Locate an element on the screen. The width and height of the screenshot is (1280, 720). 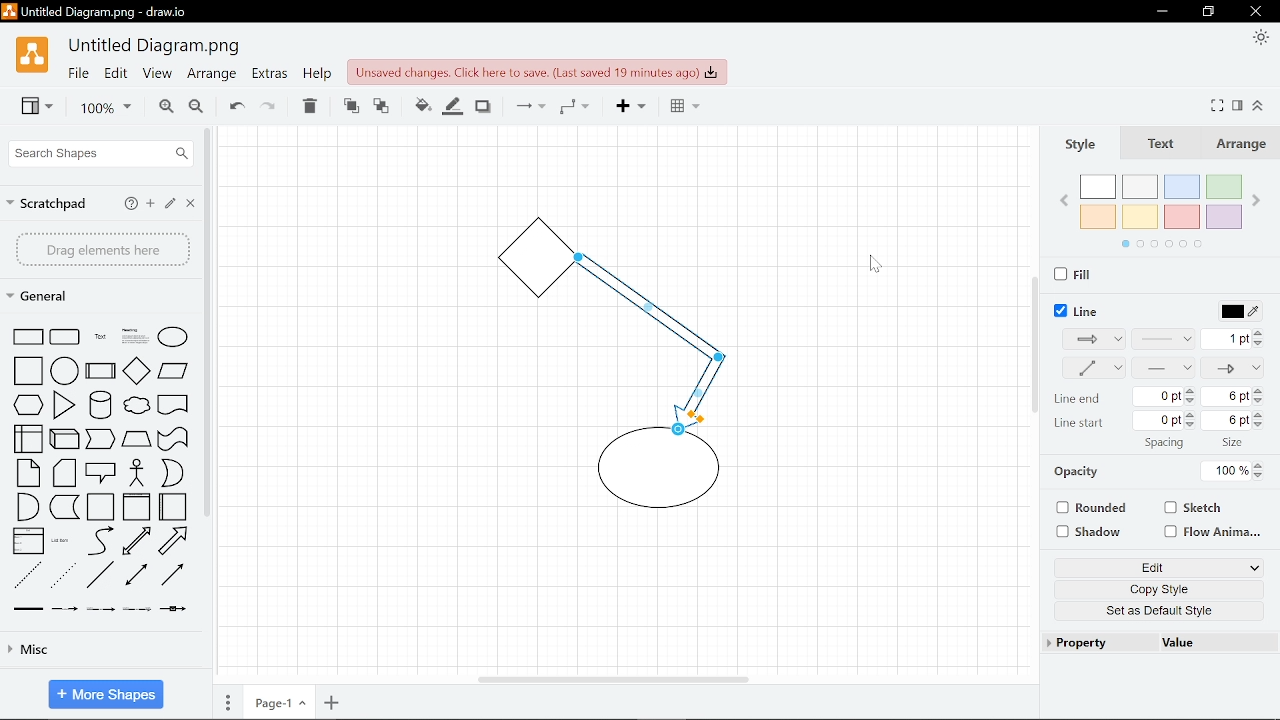
Add is located at coordinates (627, 108).